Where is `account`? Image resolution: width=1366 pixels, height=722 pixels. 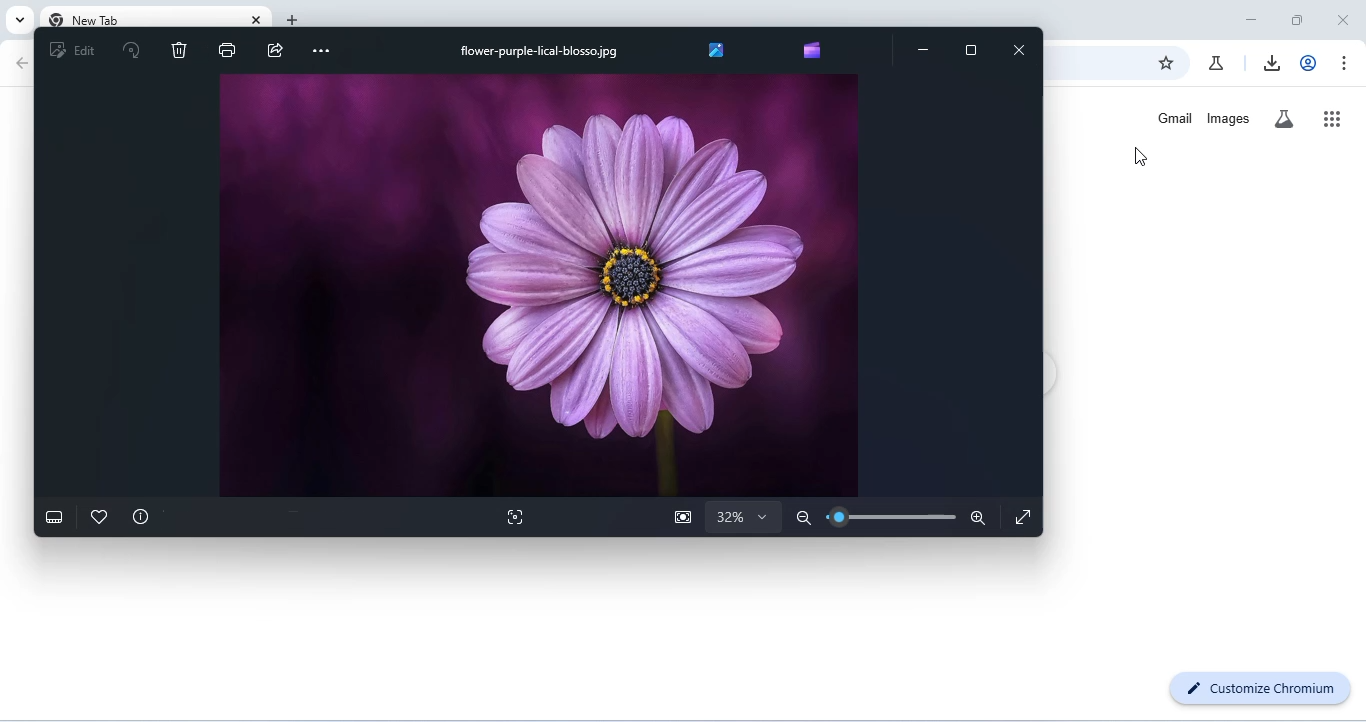
account is located at coordinates (1310, 61).